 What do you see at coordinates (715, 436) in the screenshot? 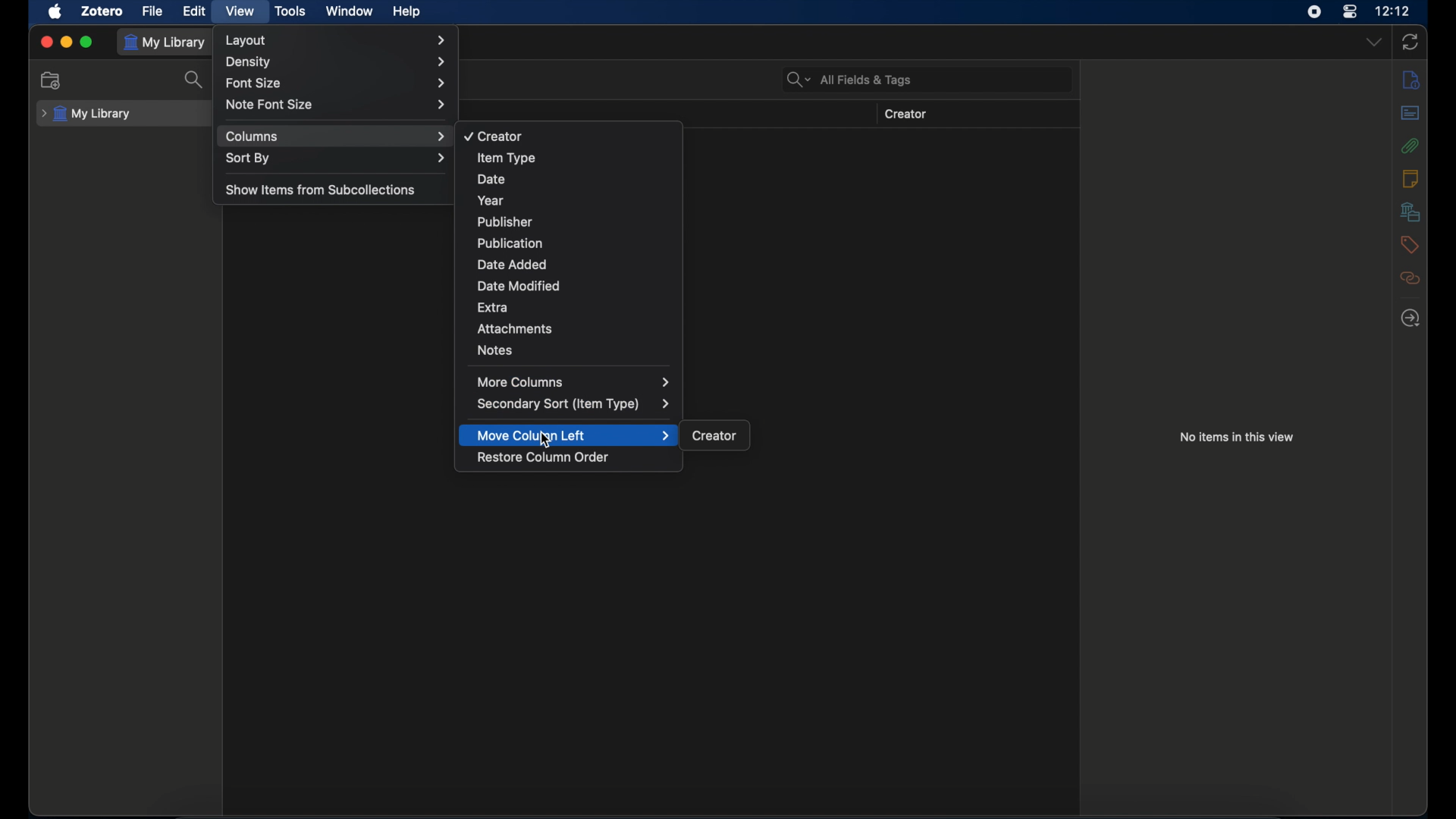
I see `creator` at bounding box center [715, 436].